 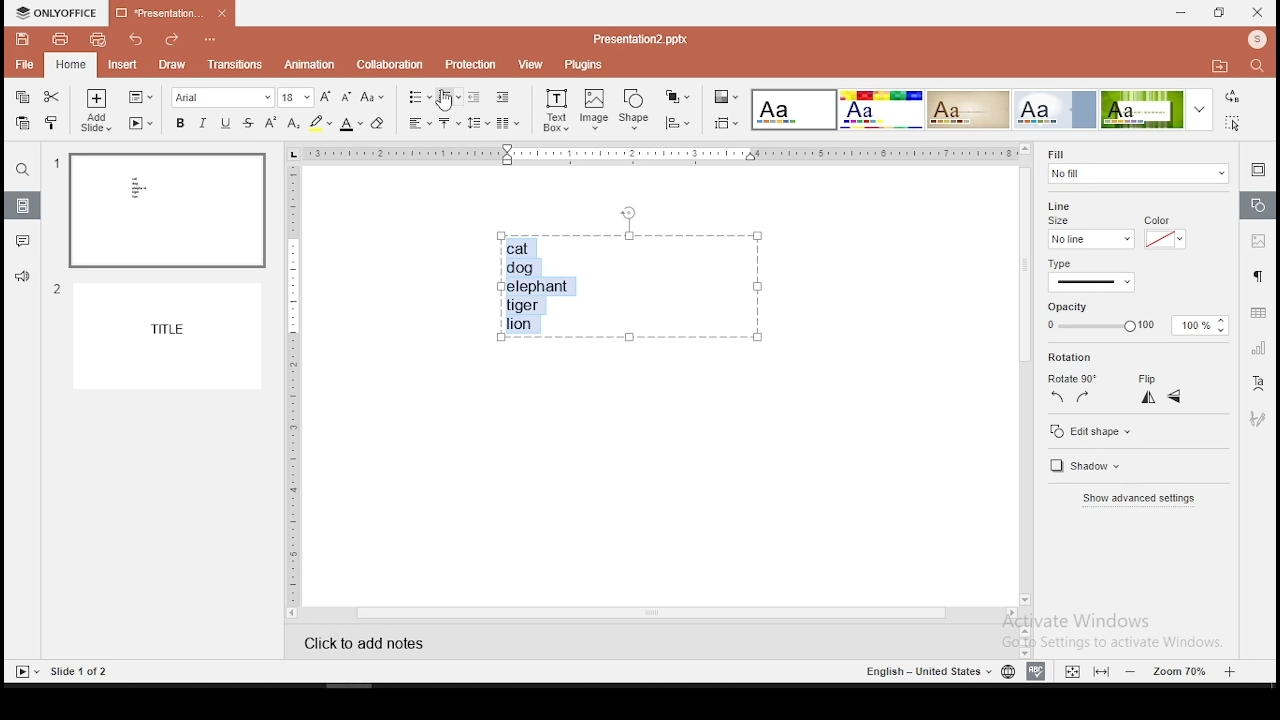 What do you see at coordinates (248, 122) in the screenshot?
I see `strikethrough` at bounding box center [248, 122].